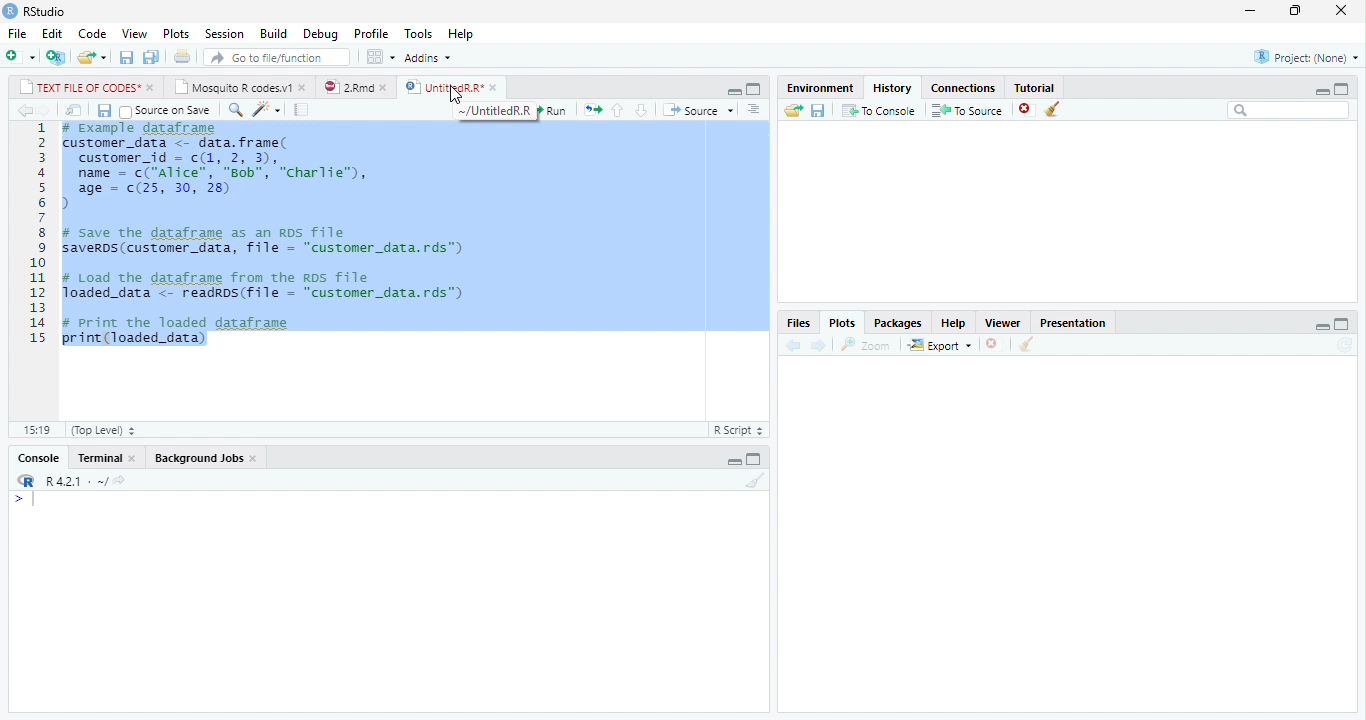 The height and width of the screenshot is (720, 1366). Describe the element at coordinates (321, 34) in the screenshot. I see `Debug` at that location.